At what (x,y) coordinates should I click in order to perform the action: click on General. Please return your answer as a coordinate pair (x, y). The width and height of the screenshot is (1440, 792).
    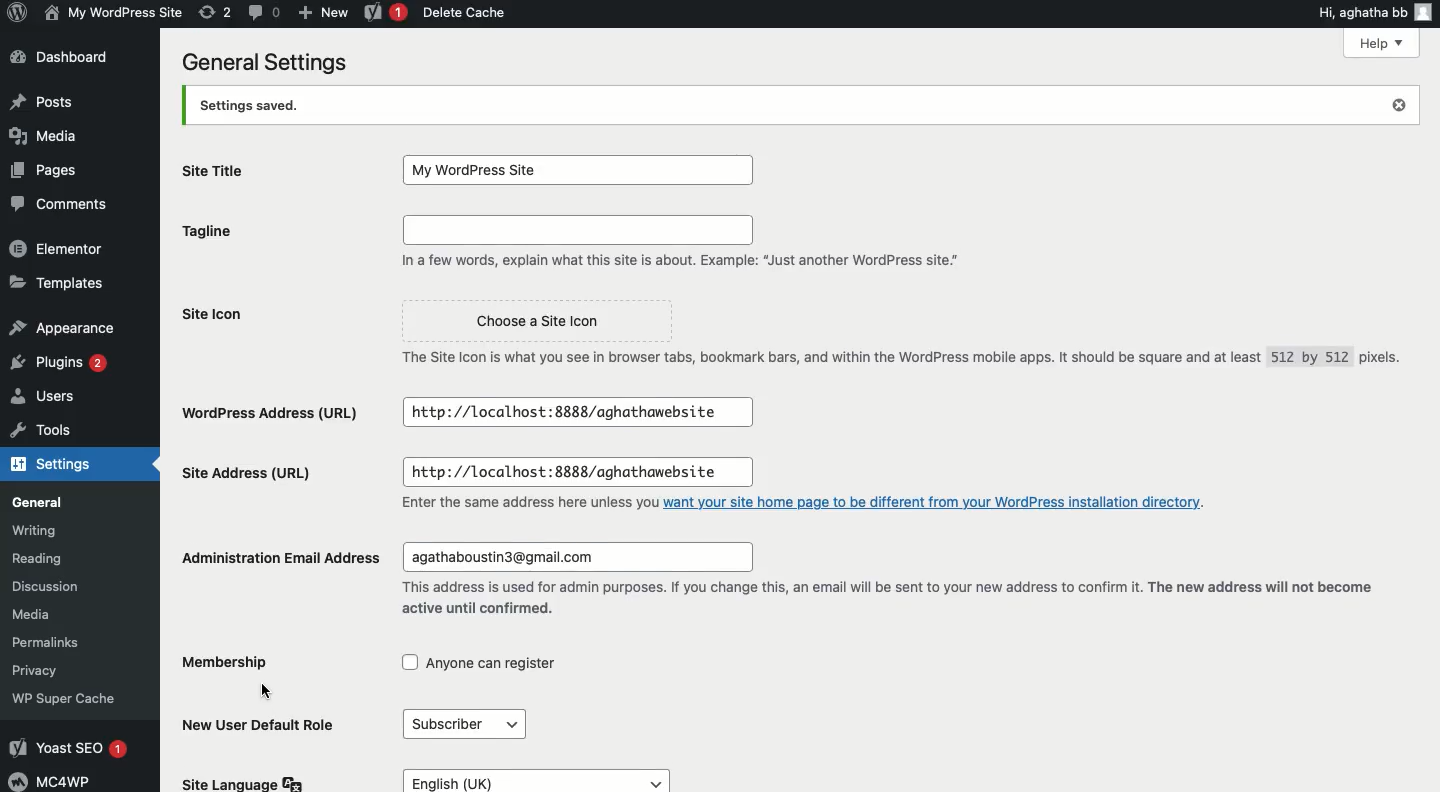
    Looking at the image, I should click on (40, 502).